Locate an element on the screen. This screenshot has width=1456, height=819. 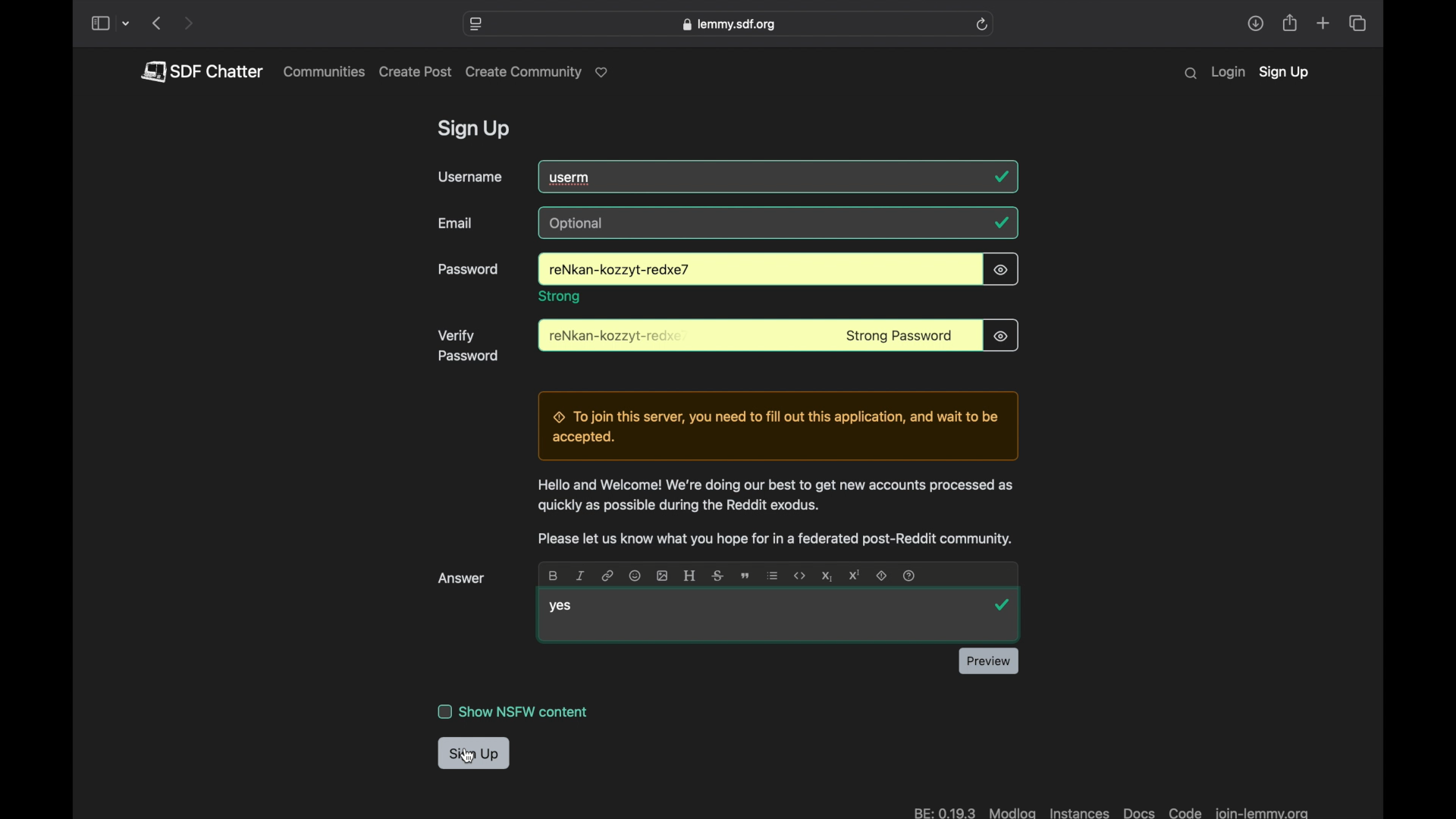
optional is located at coordinates (579, 224).